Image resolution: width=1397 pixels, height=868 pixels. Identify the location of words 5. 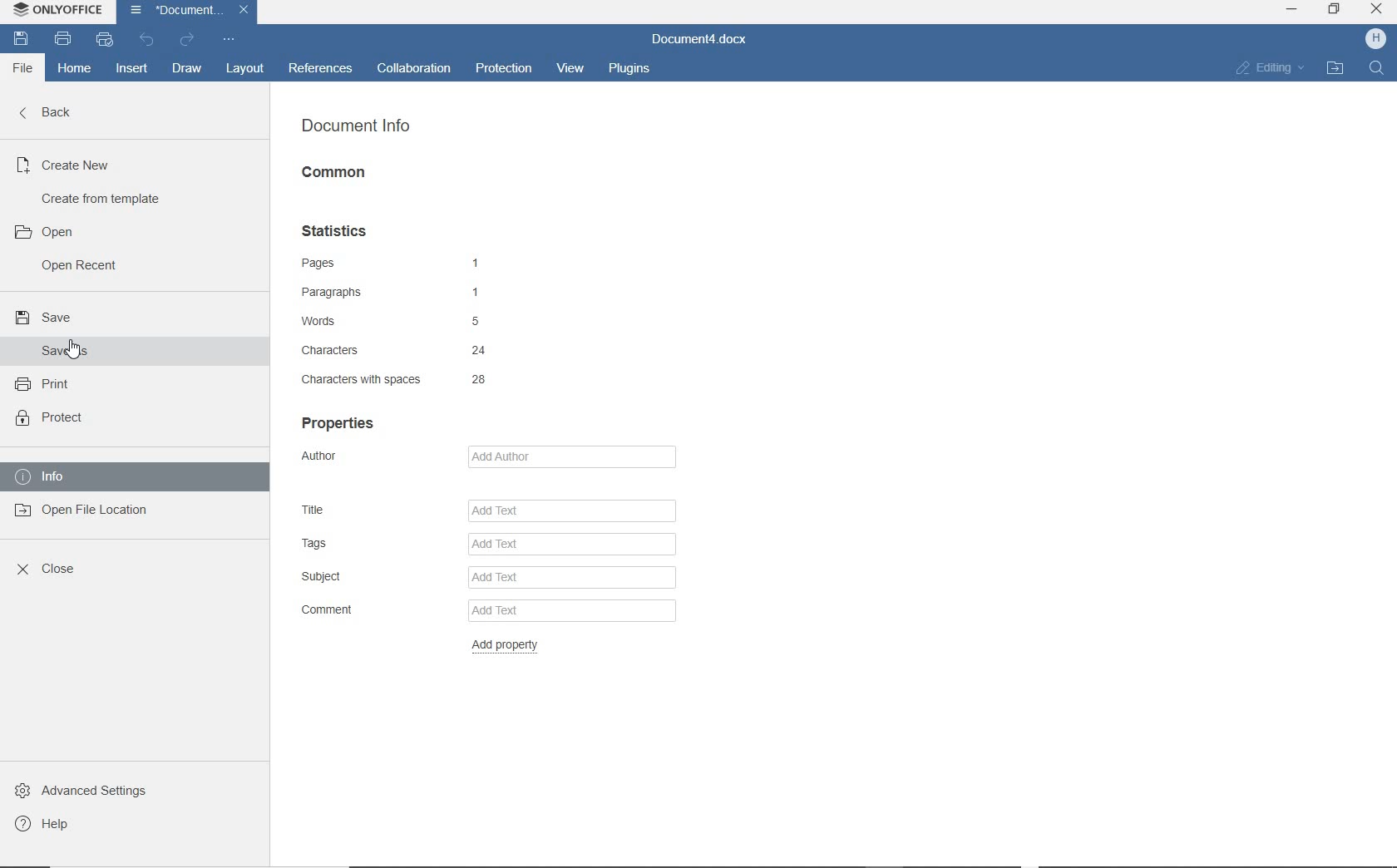
(392, 323).